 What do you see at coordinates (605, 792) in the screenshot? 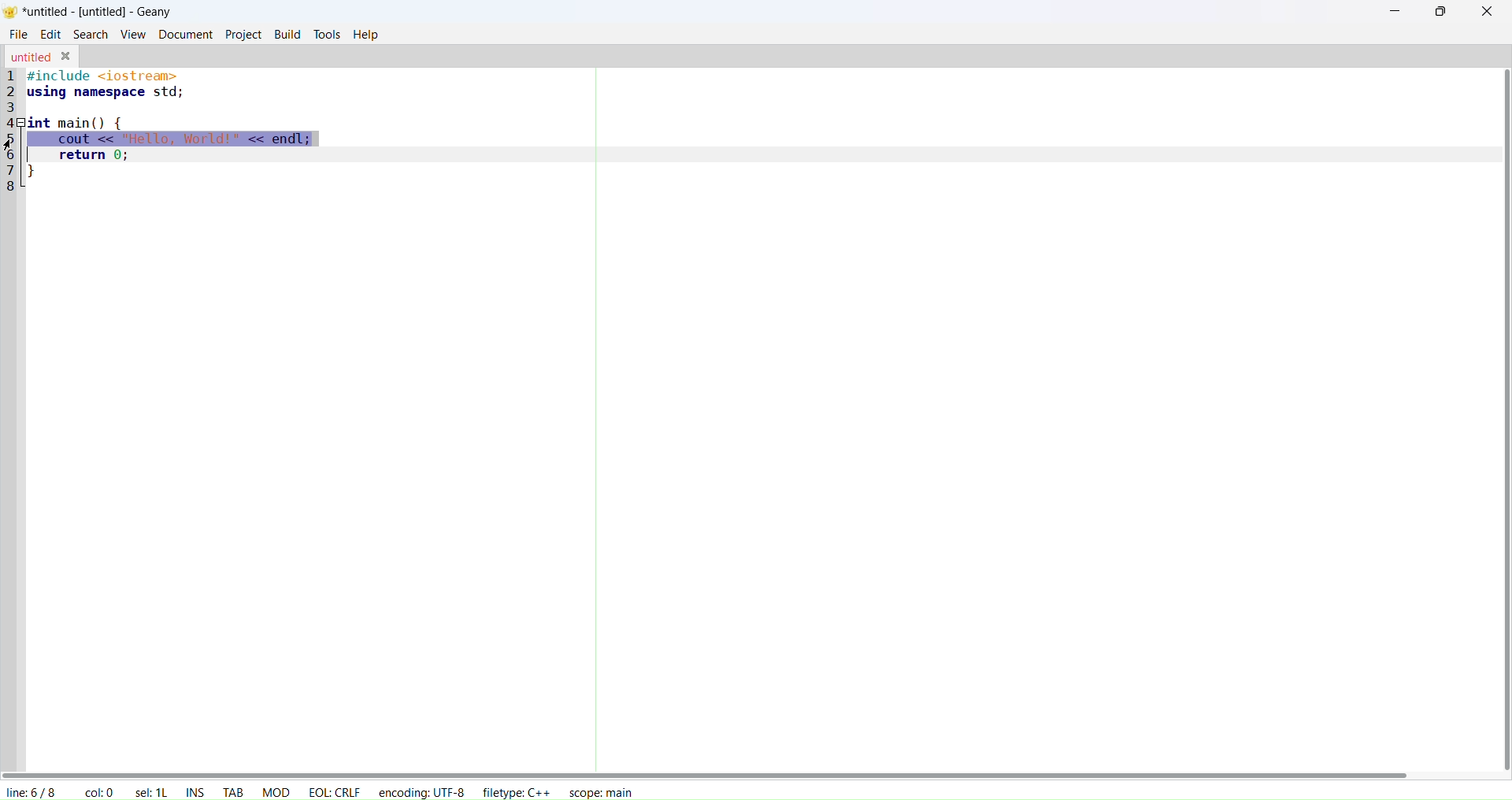
I see `scope: main` at bounding box center [605, 792].